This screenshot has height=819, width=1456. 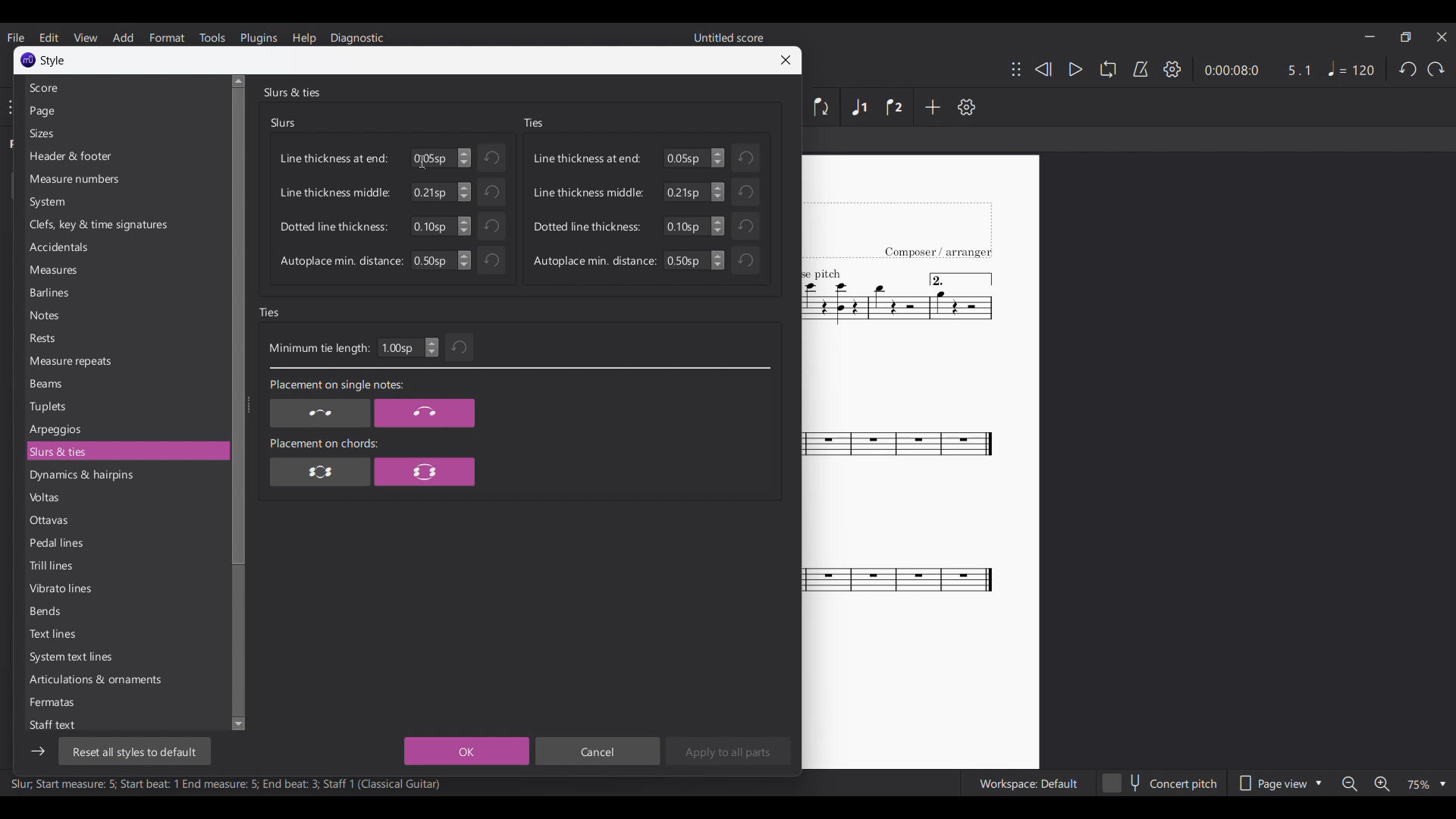 What do you see at coordinates (431, 260) in the screenshot?
I see `` at bounding box center [431, 260].